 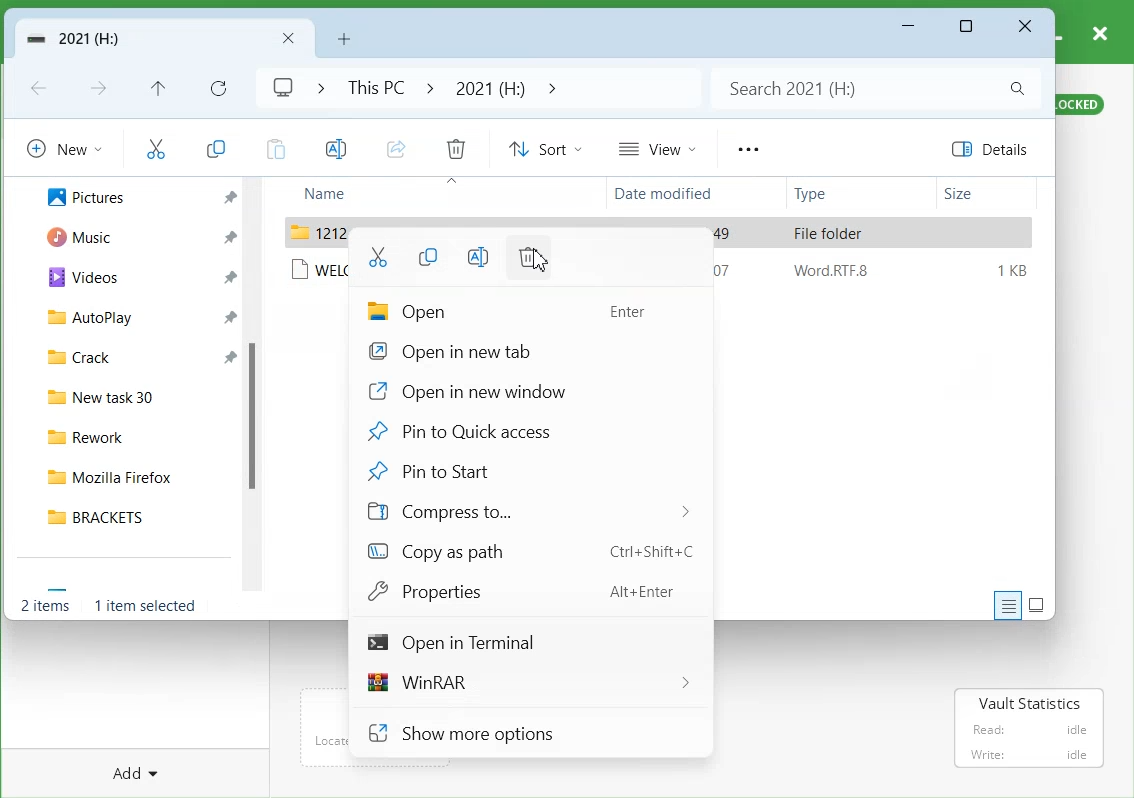 What do you see at coordinates (524, 312) in the screenshot?
I see `Open` at bounding box center [524, 312].